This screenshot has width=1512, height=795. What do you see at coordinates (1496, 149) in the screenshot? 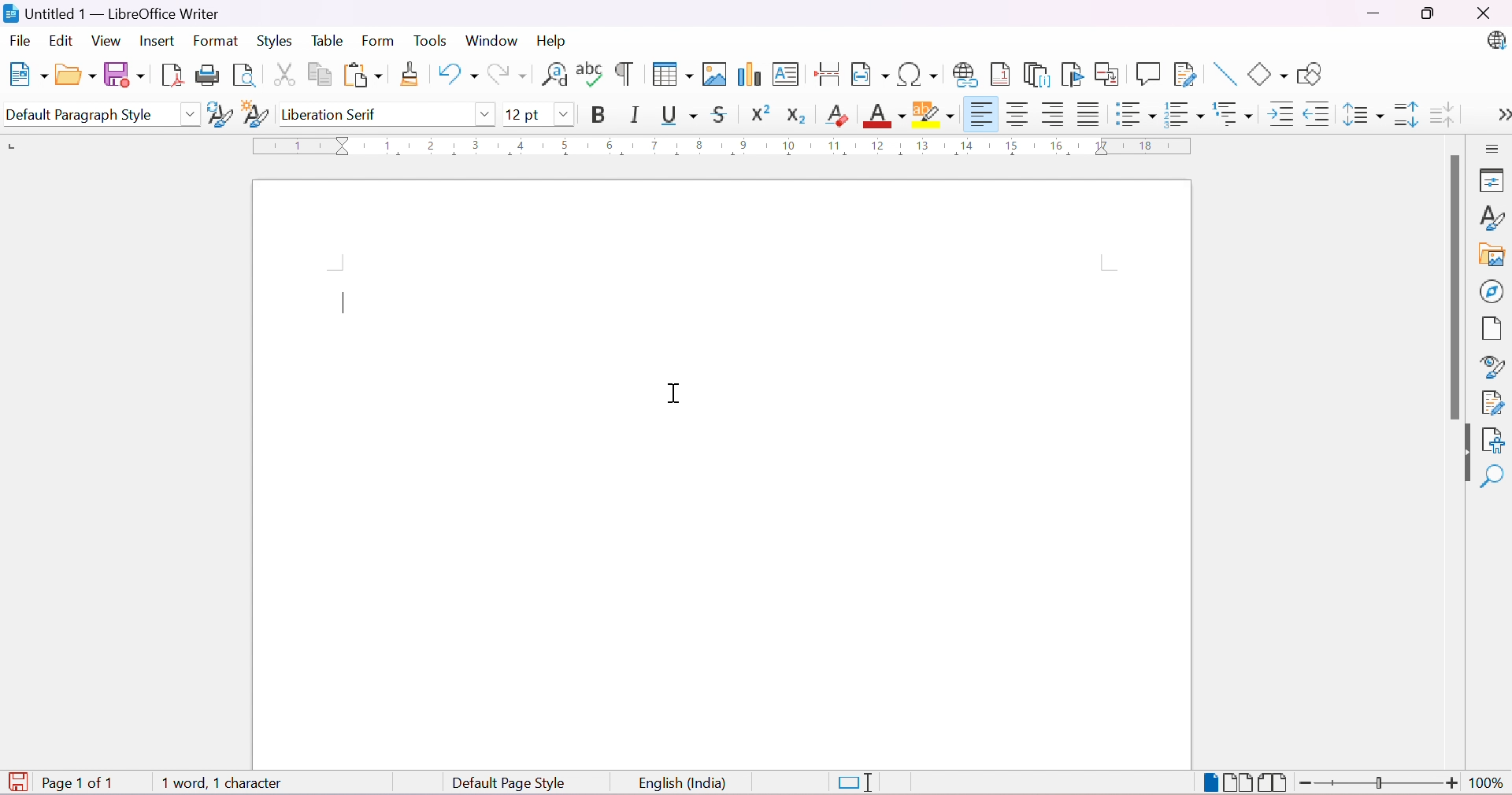
I see `Sidebar Settings` at bounding box center [1496, 149].